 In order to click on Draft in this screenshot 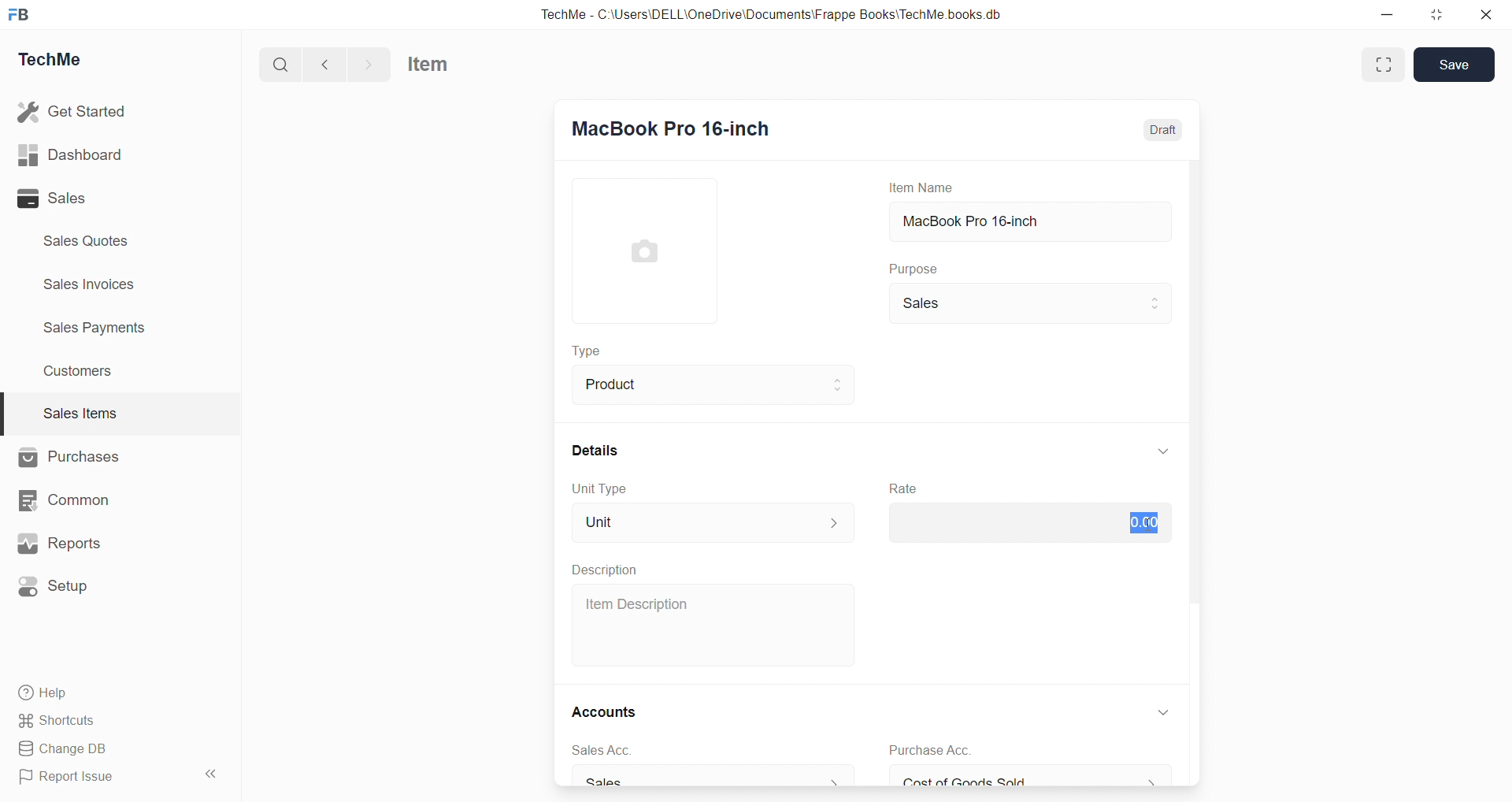, I will do `click(1164, 129)`.